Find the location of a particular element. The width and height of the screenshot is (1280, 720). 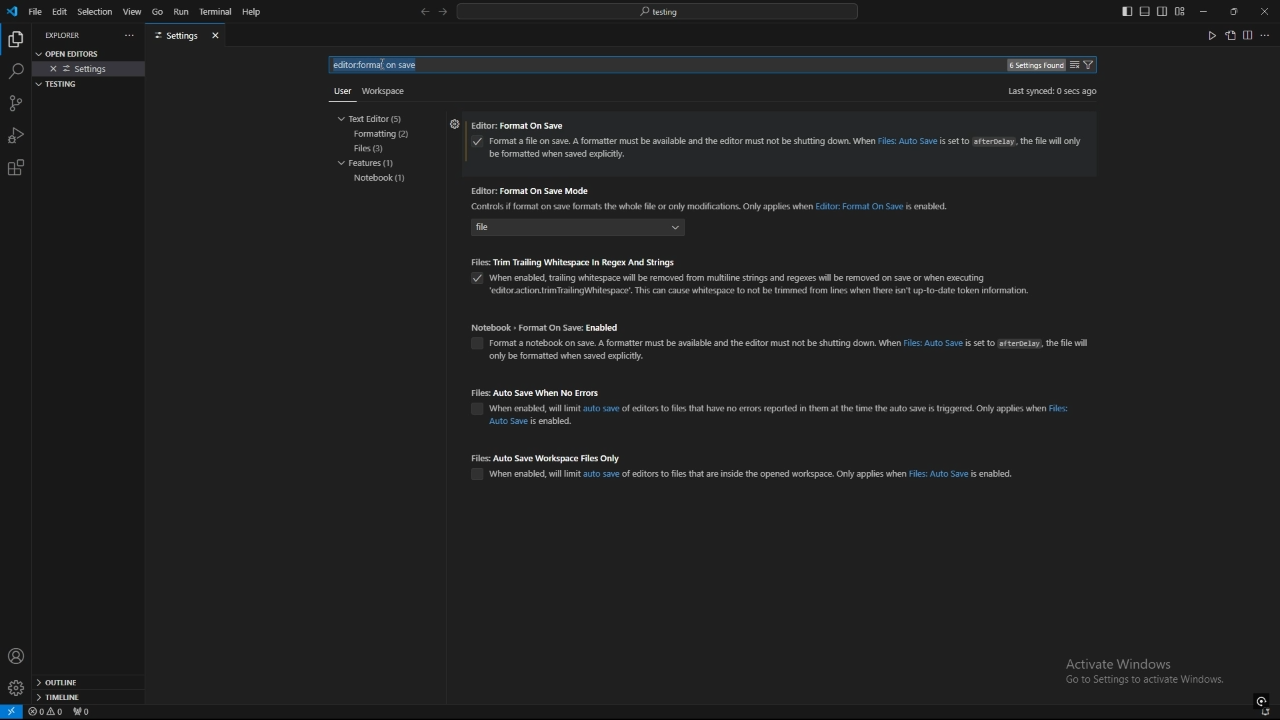

editor layout is located at coordinates (1153, 11).